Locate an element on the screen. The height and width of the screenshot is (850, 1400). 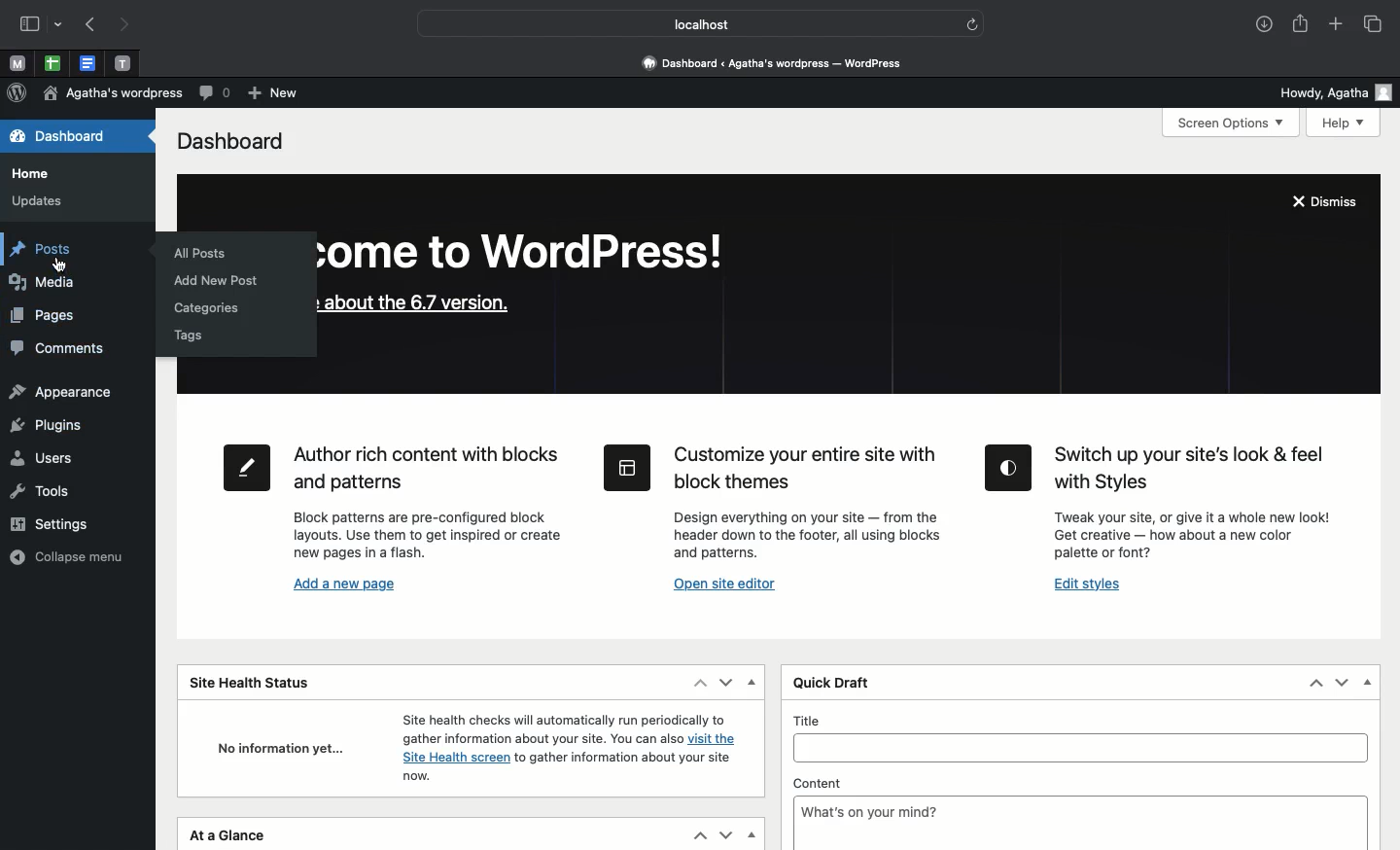
Previous page is located at coordinates (90, 26).